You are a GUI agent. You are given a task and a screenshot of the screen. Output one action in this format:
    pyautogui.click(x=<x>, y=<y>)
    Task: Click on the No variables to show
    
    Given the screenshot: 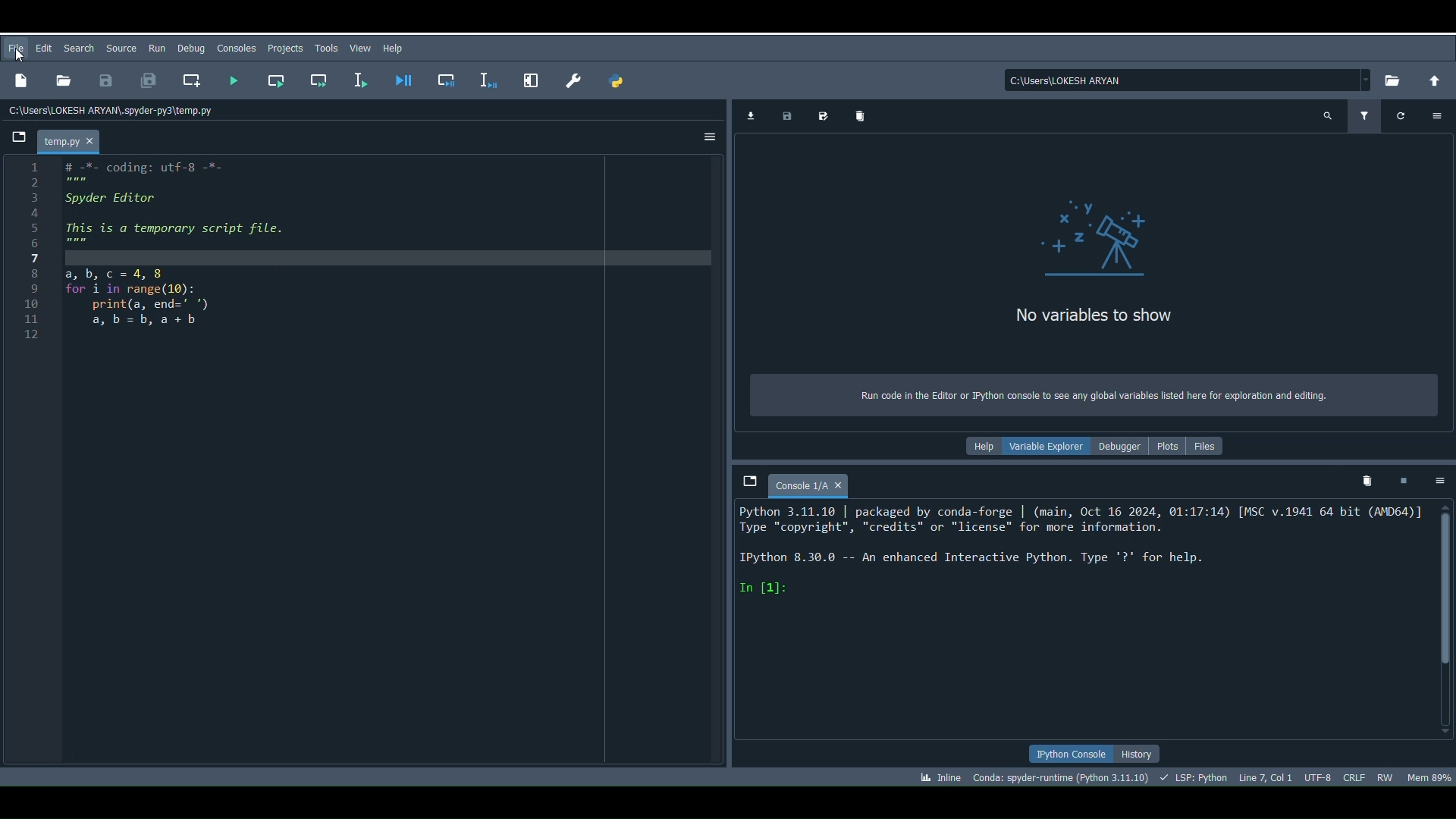 What is the action you would take?
    pyautogui.click(x=1084, y=266)
    